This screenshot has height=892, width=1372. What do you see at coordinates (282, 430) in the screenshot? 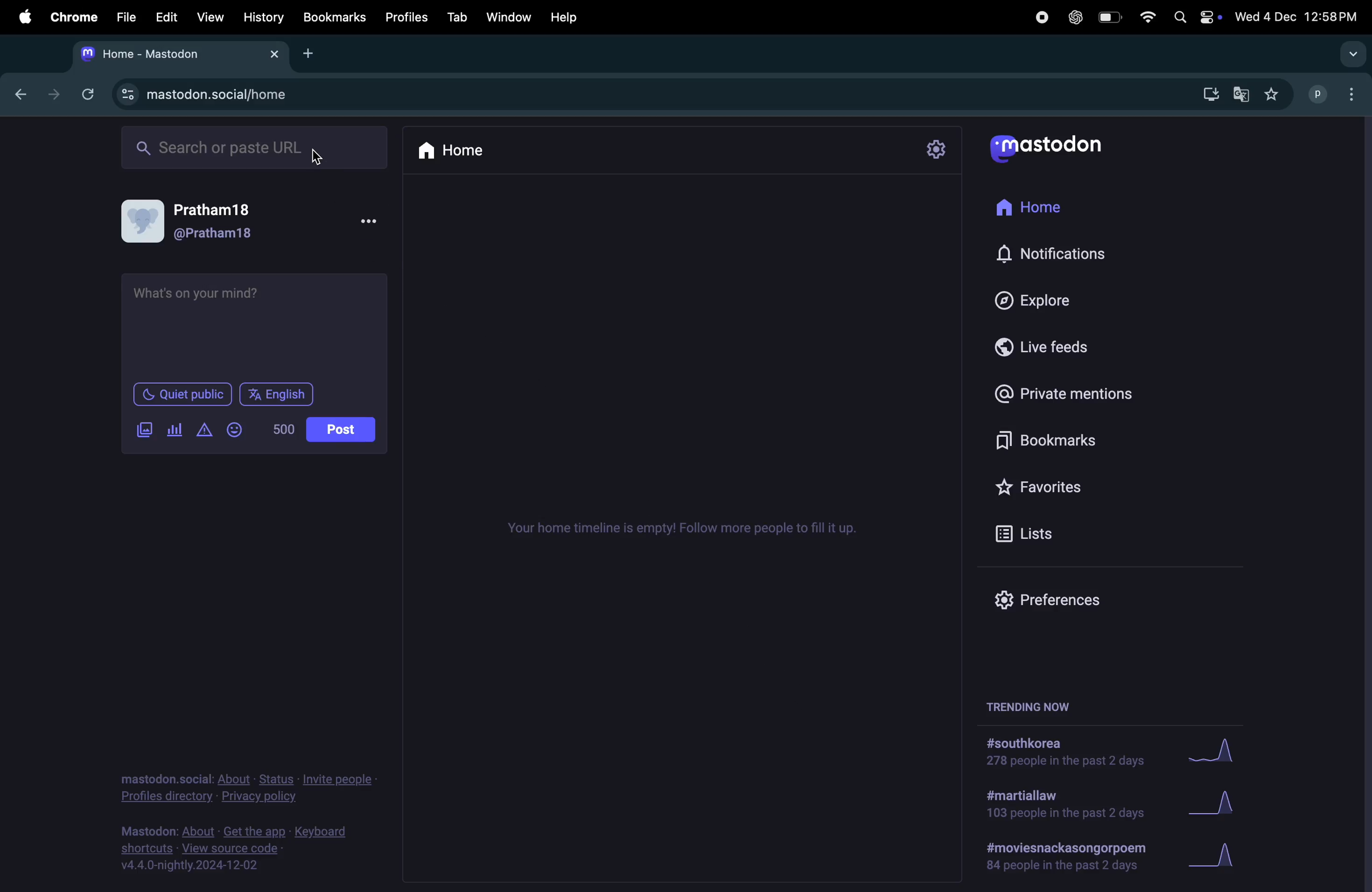
I see `500` at bounding box center [282, 430].